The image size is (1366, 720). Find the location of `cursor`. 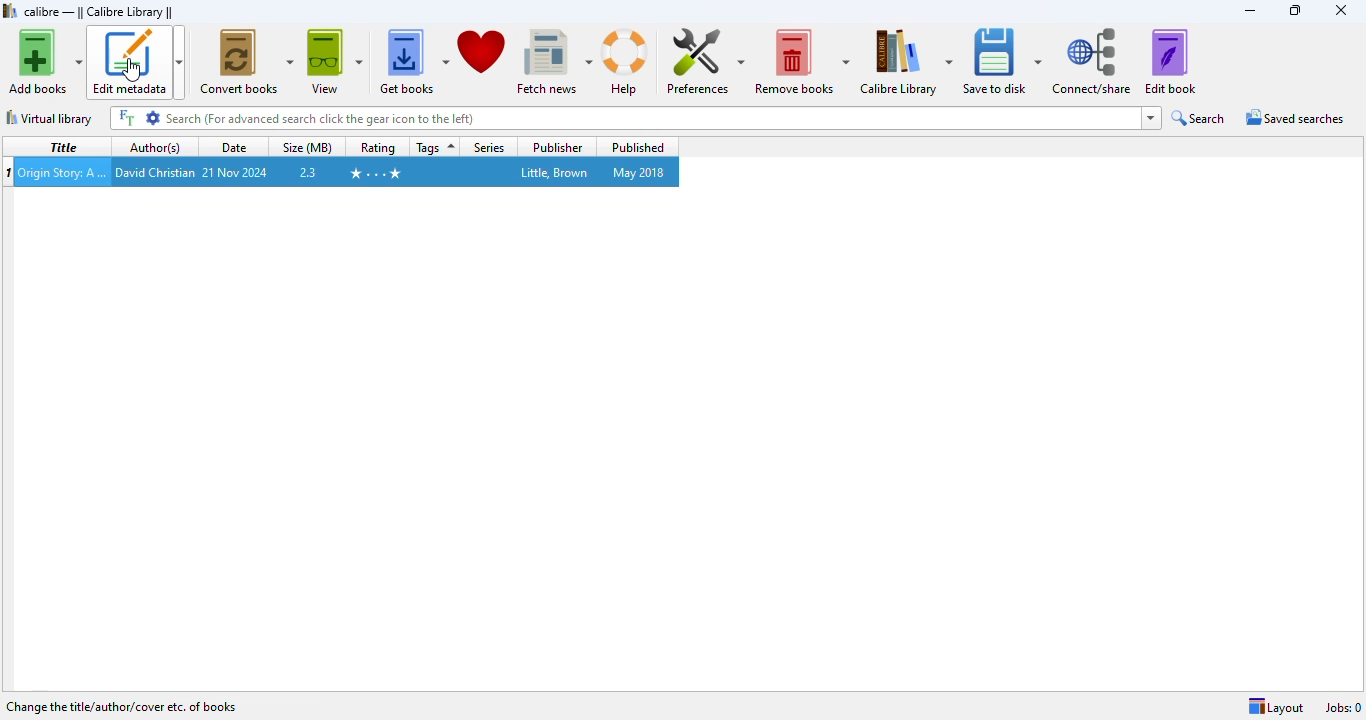

cursor is located at coordinates (132, 69).